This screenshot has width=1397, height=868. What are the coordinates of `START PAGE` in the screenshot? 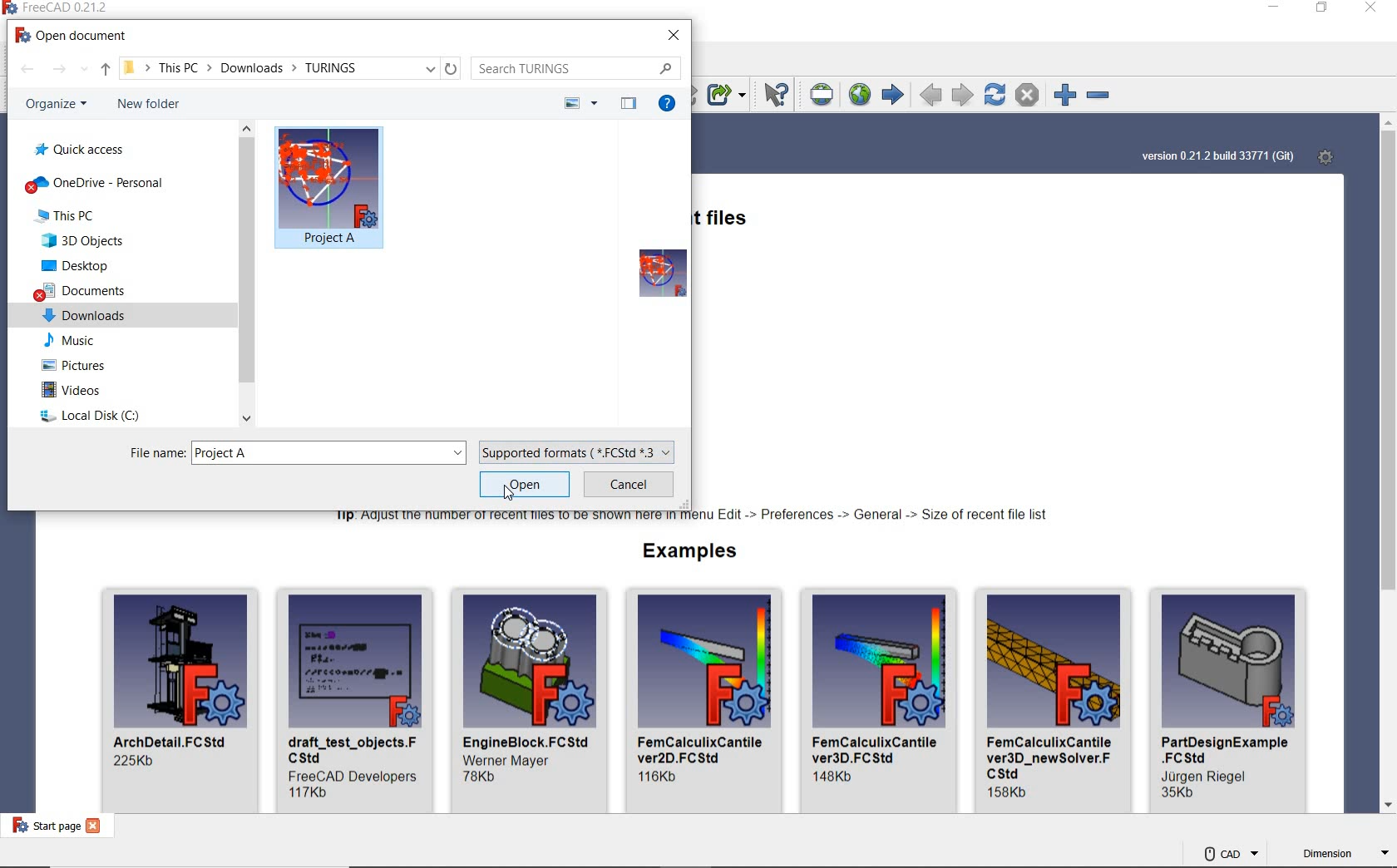 It's located at (42, 825).